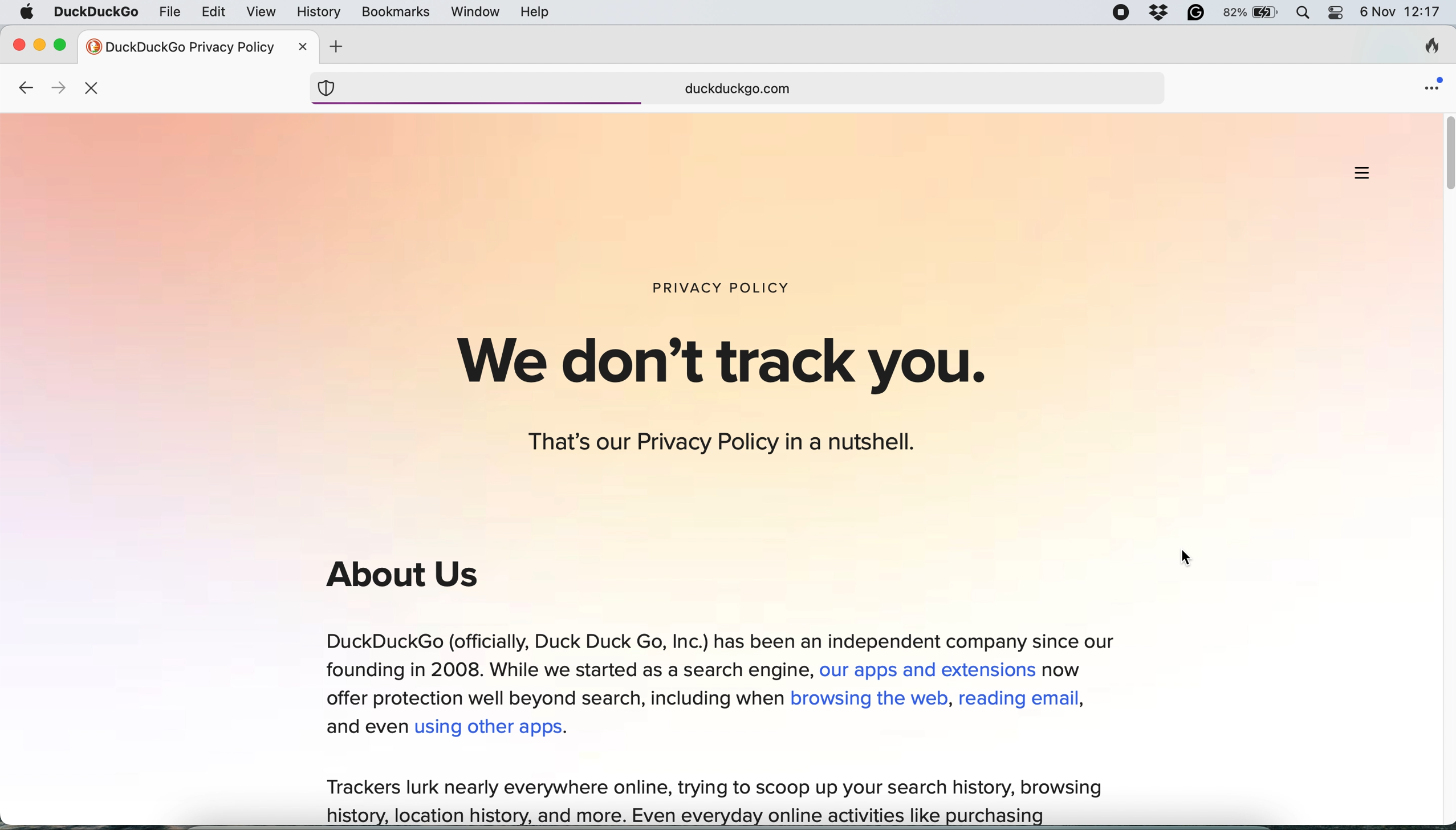 The width and height of the screenshot is (1456, 830). Describe the element at coordinates (739, 394) in the screenshot. I see `We don’t track you.
That’s our Privacy Policy in a nutshell.` at that location.